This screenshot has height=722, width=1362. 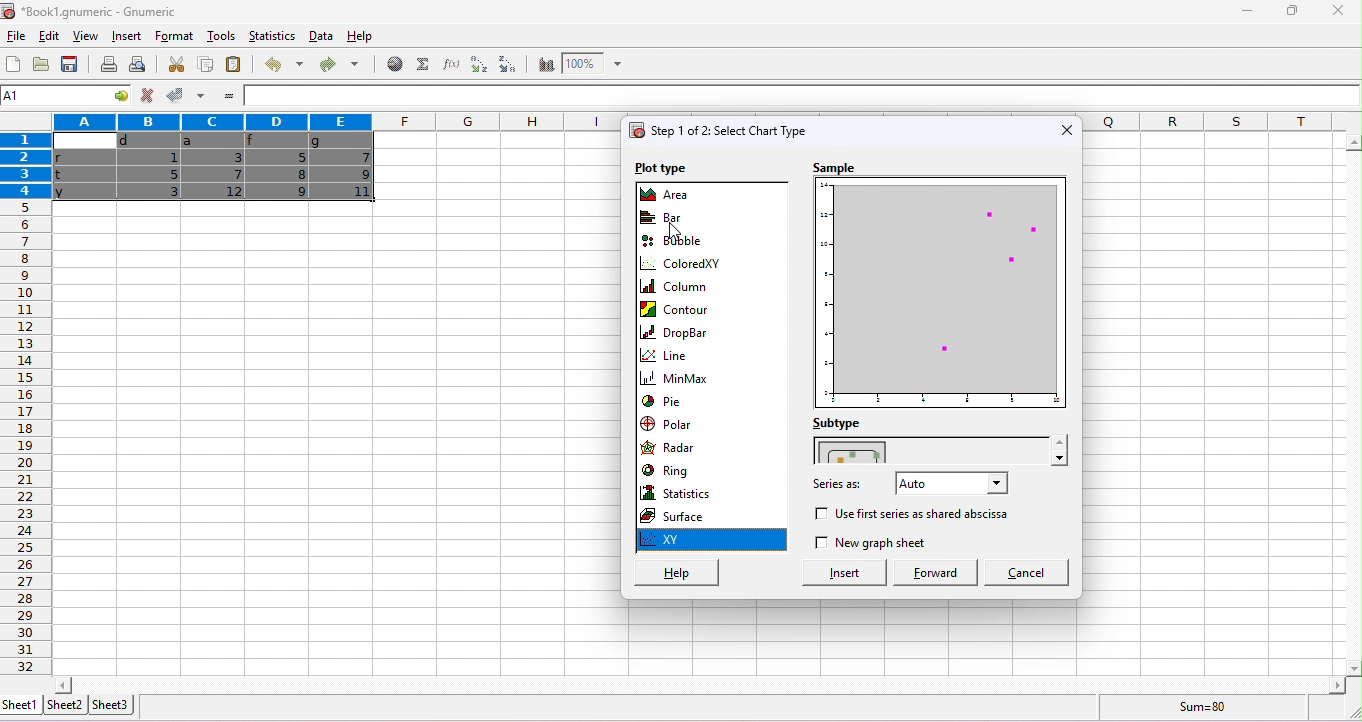 What do you see at coordinates (950, 484) in the screenshot?
I see `select series` at bounding box center [950, 484].